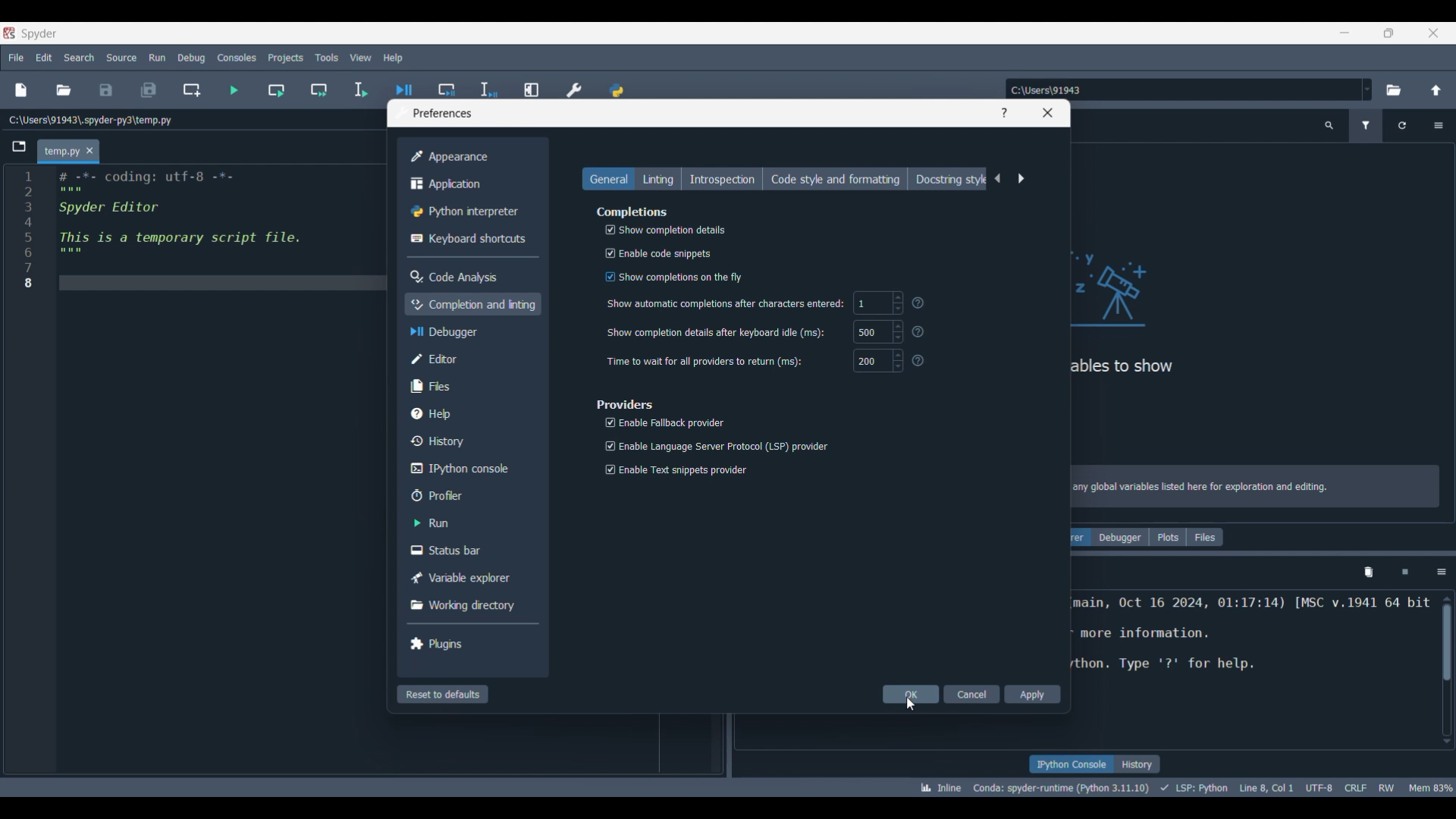  I want to click on Consoles menu, so click(237, 58).